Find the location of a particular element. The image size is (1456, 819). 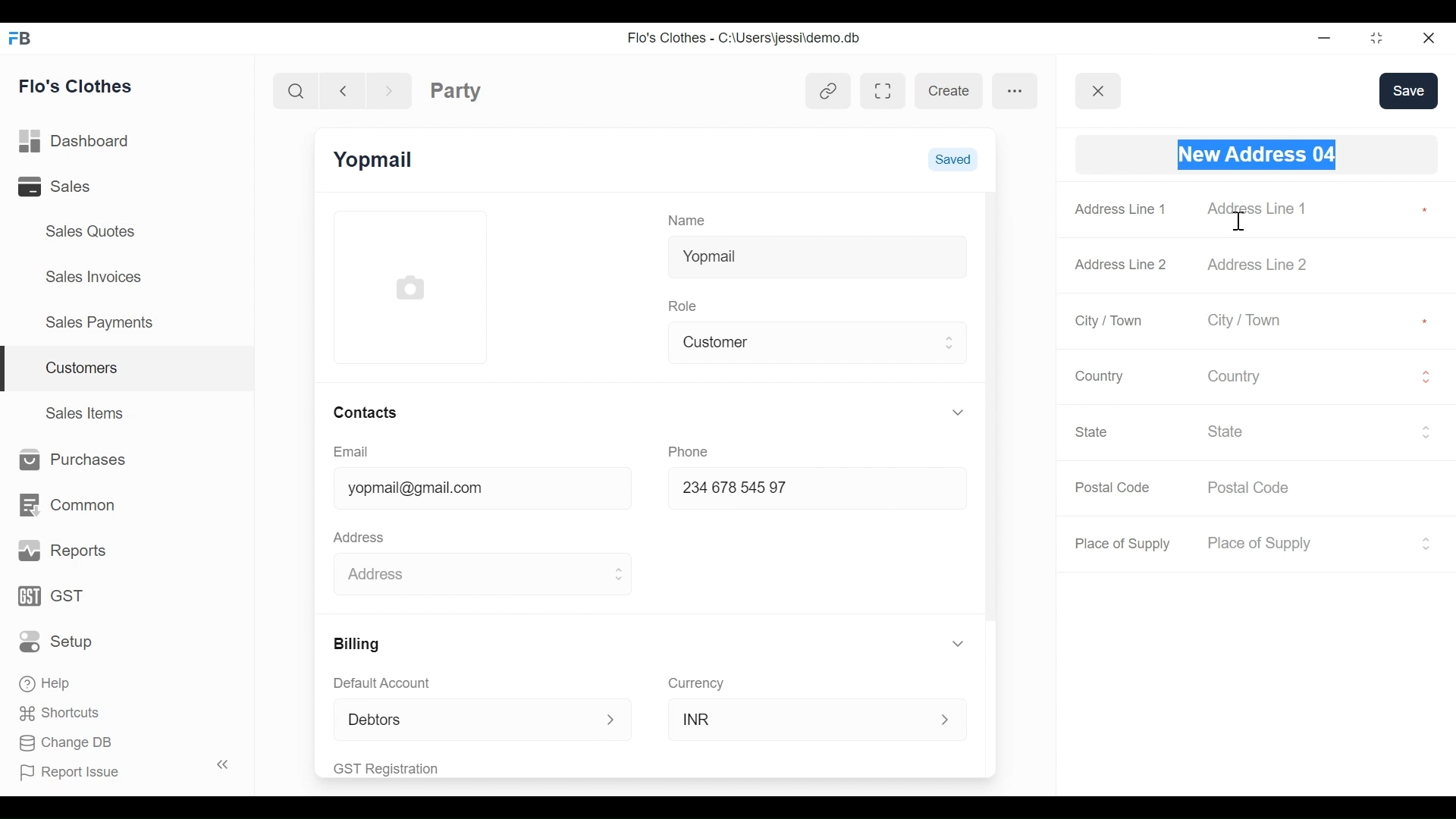

save is located at coordinates (1408, 90).